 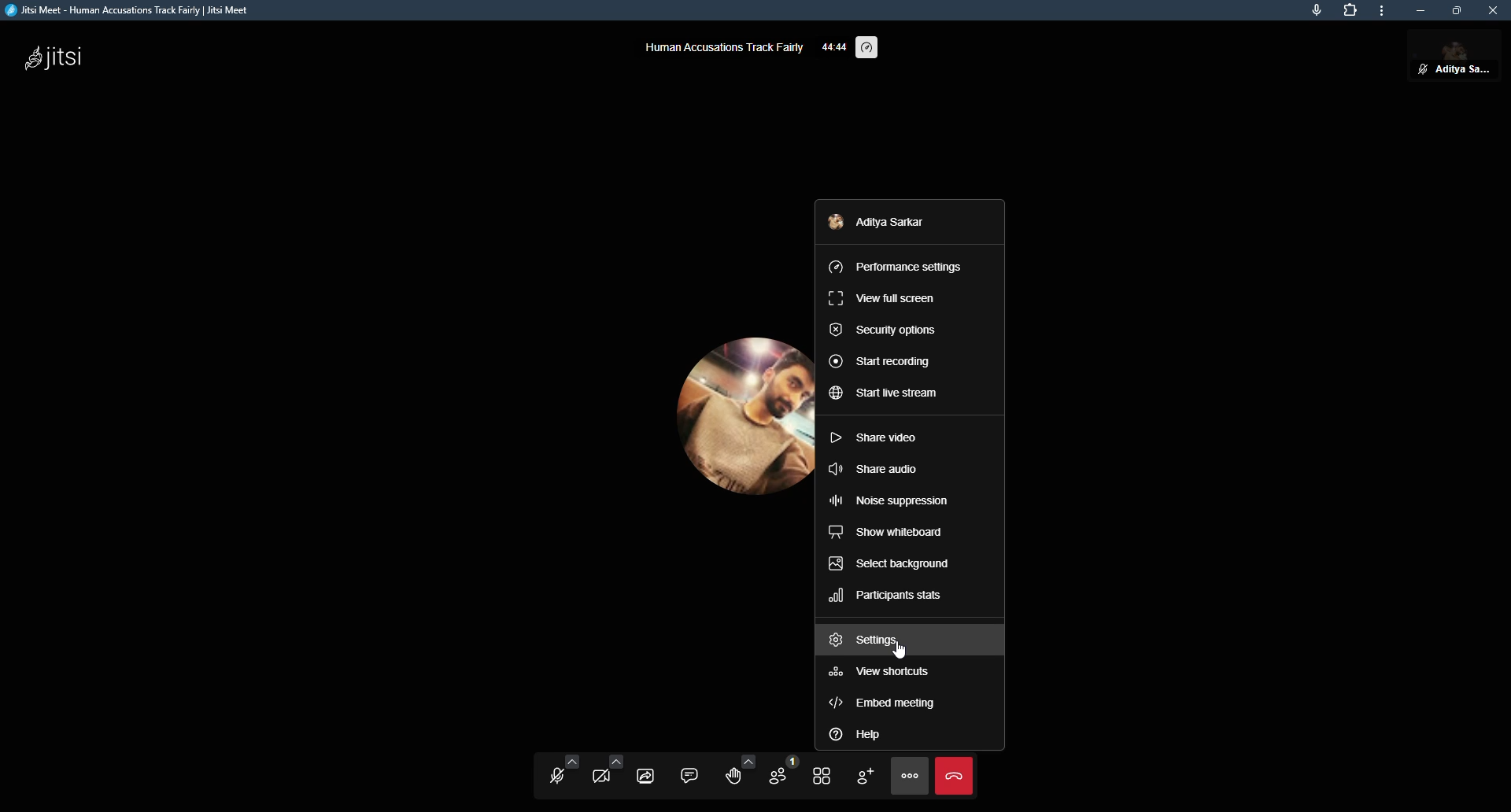 What do you see at coordinates (909, 775) in the screenshot?
I see `more actions` at bounding box center [909, 775].